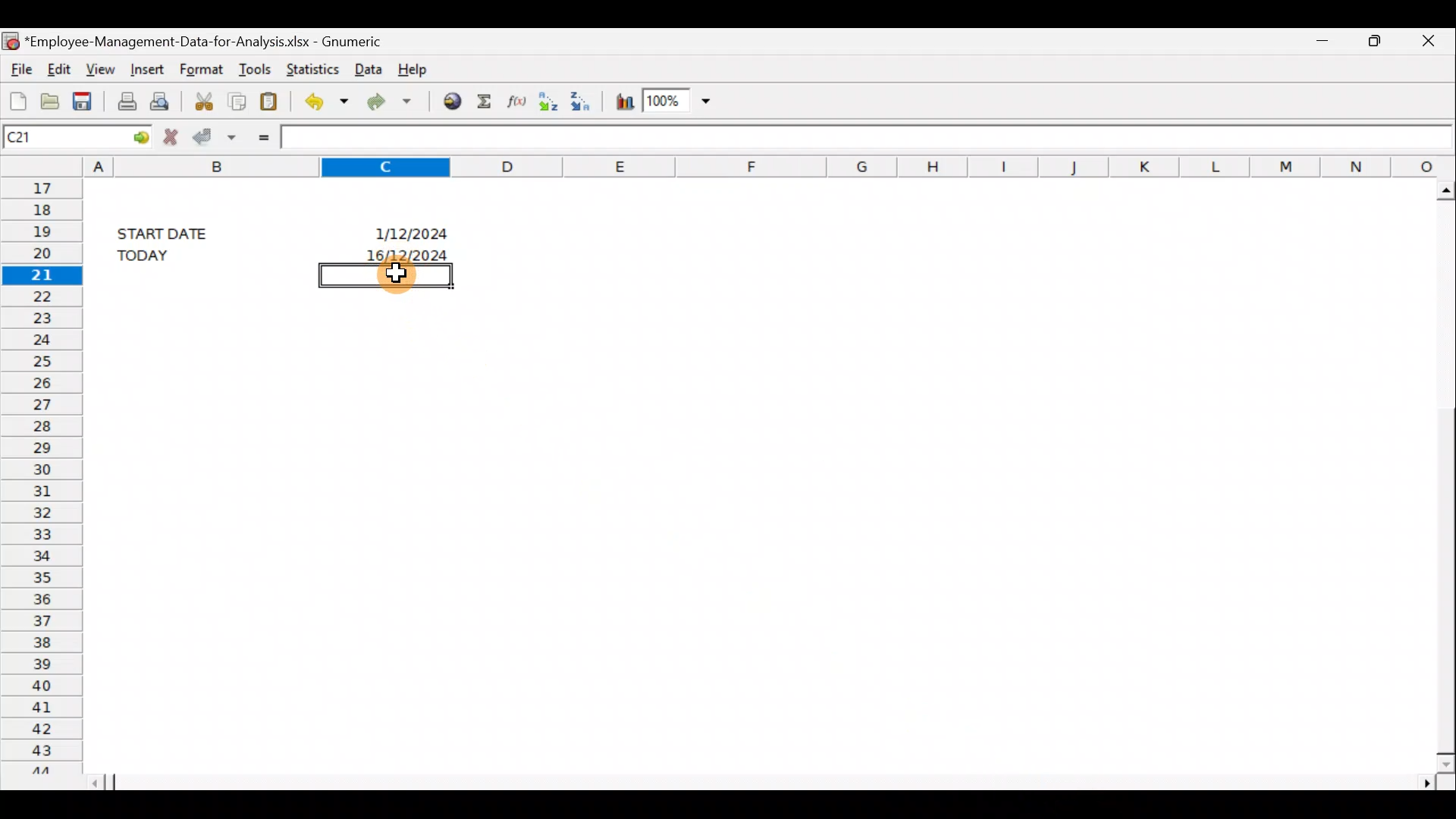 The width and height of the screenshot is (1456, 819). What do you see at coordinates (396, 281) in the screenshot?
I see `Cursor on cell C21` at bounding box center [396, 281].